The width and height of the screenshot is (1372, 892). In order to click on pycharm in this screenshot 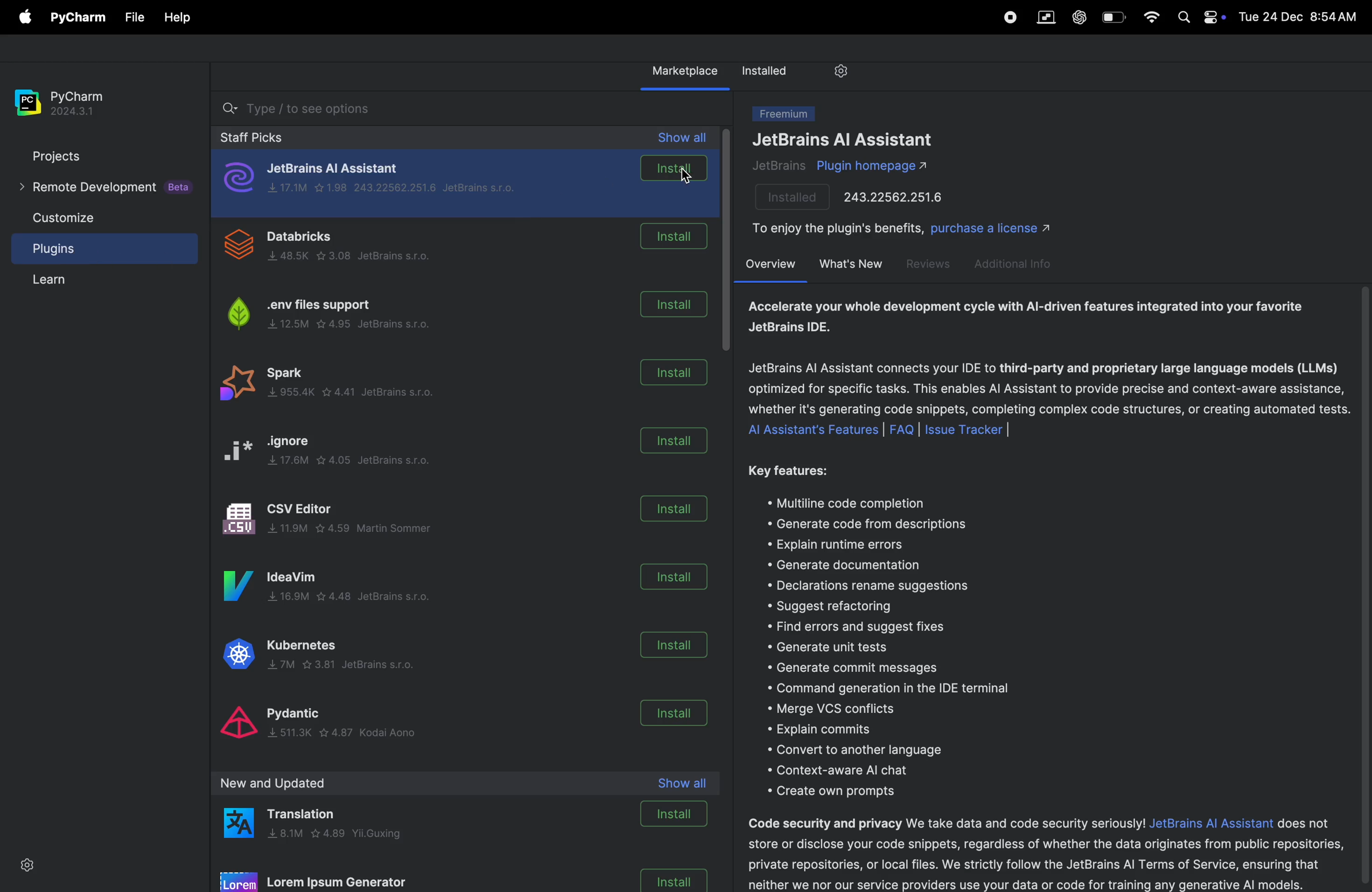, I will do `click(76, 18)`.